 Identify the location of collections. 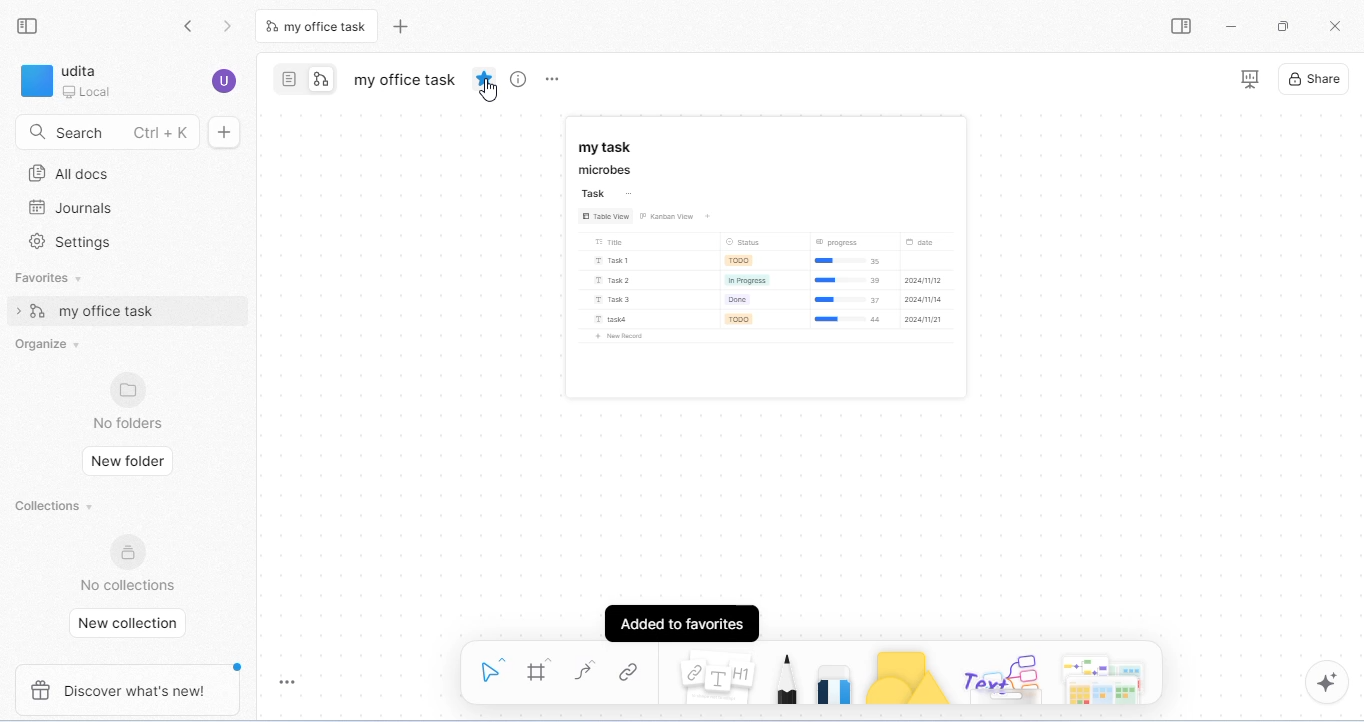
(51, 504).